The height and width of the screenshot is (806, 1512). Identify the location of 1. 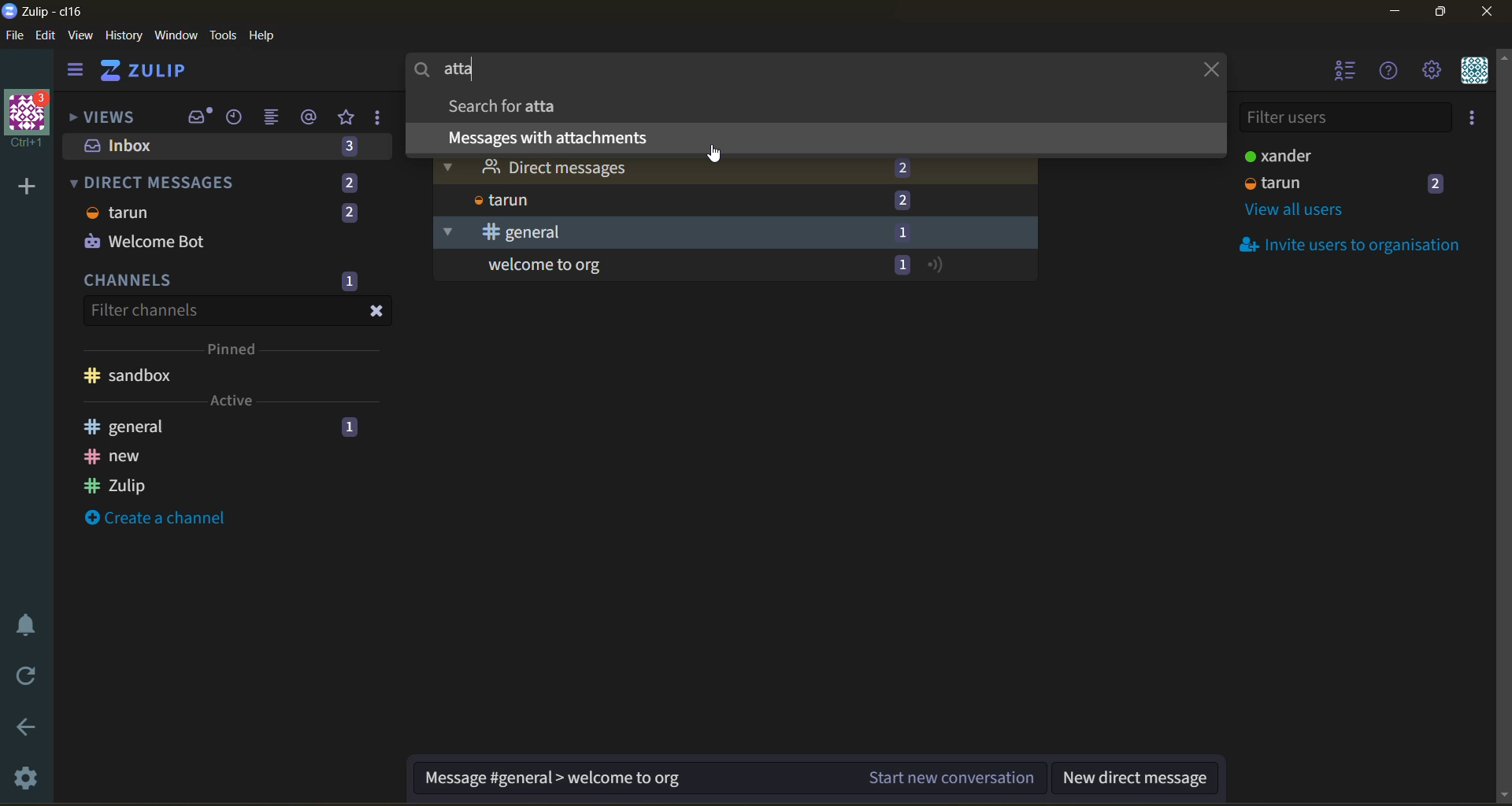
(349, 282).